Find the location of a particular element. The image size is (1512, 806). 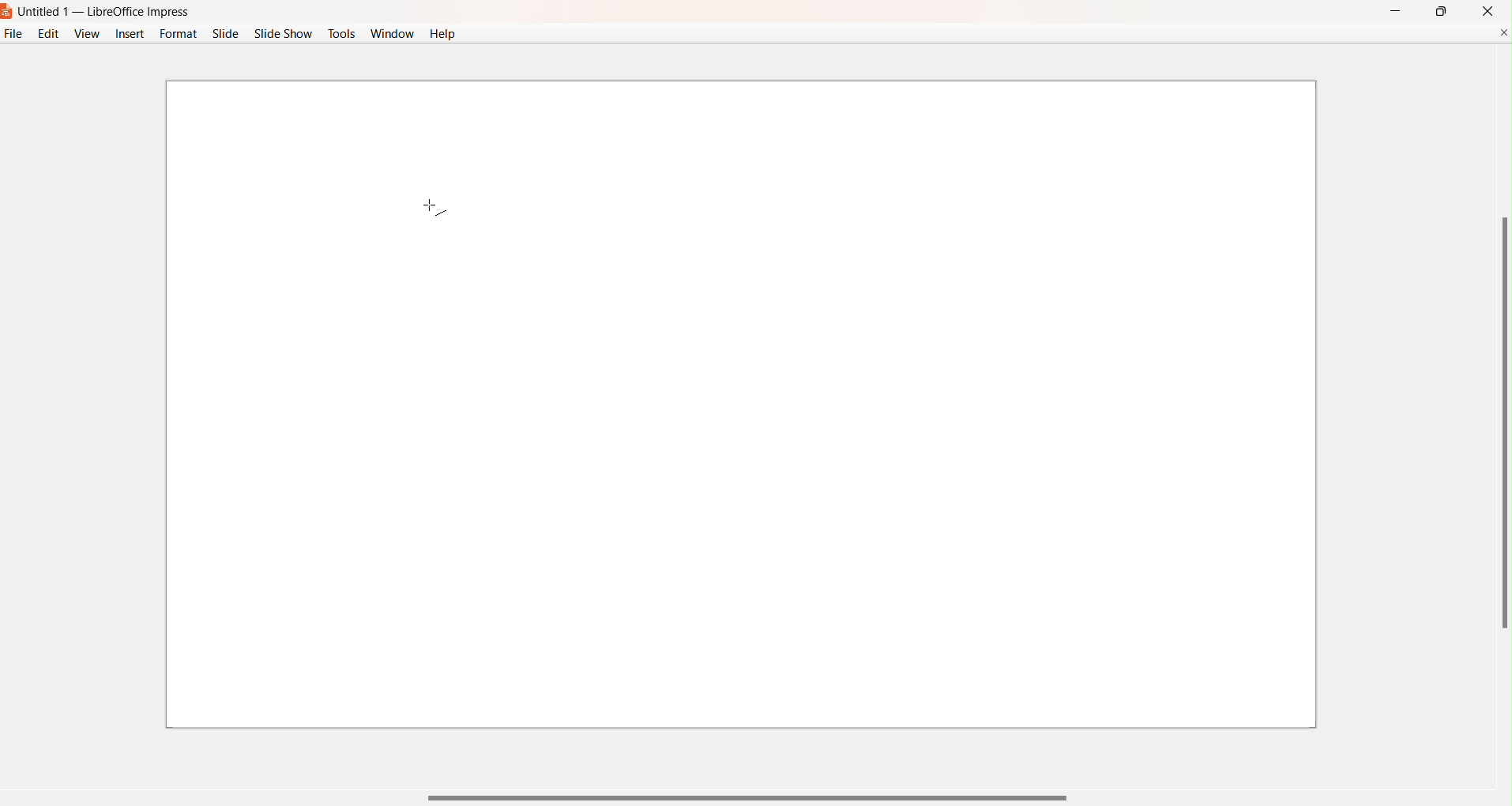

Untitled 1 - LibreOffice Impress is located at coordinates (106, 13).